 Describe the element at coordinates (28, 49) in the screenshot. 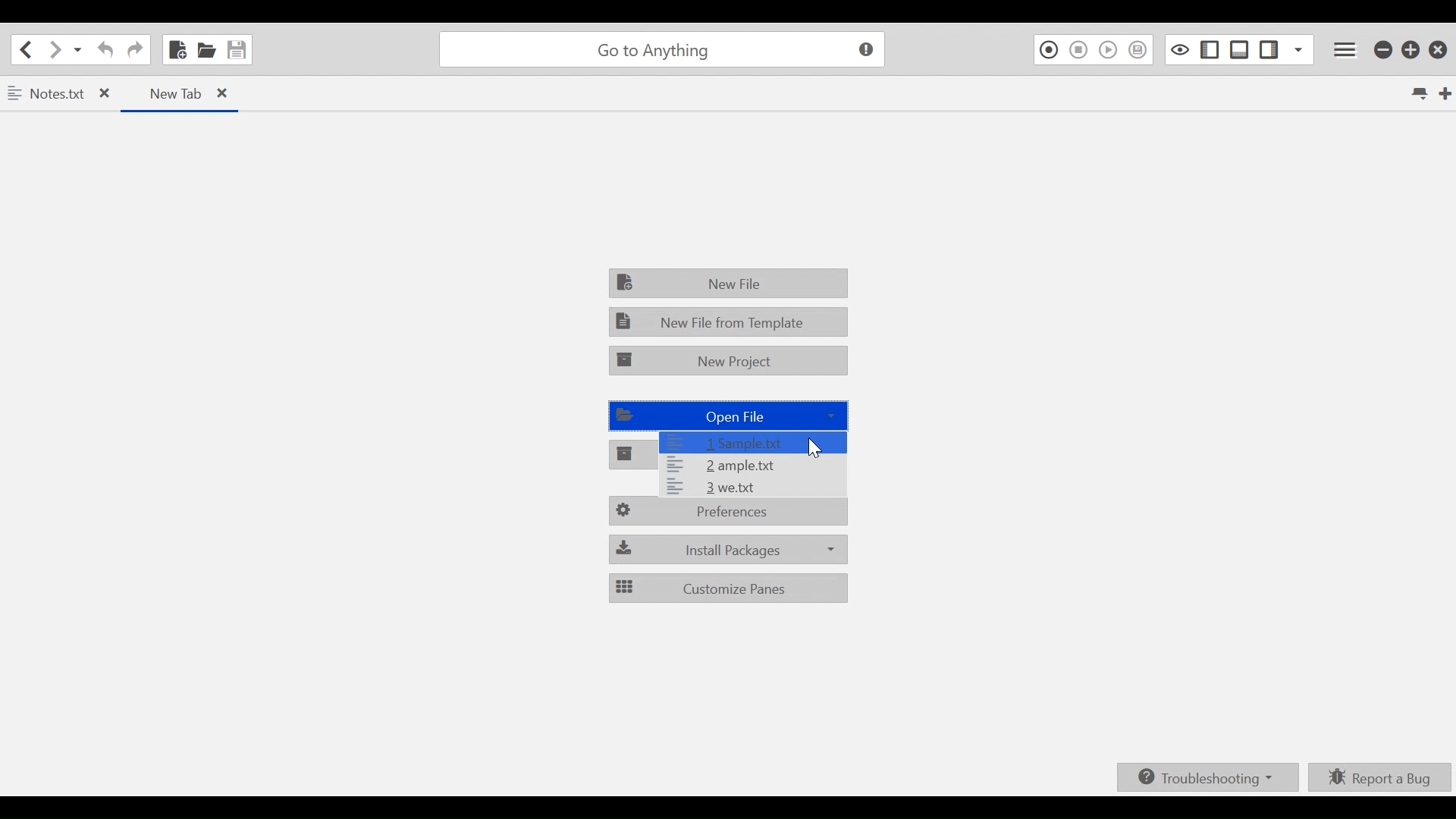

I see `Go back one location` at that location.